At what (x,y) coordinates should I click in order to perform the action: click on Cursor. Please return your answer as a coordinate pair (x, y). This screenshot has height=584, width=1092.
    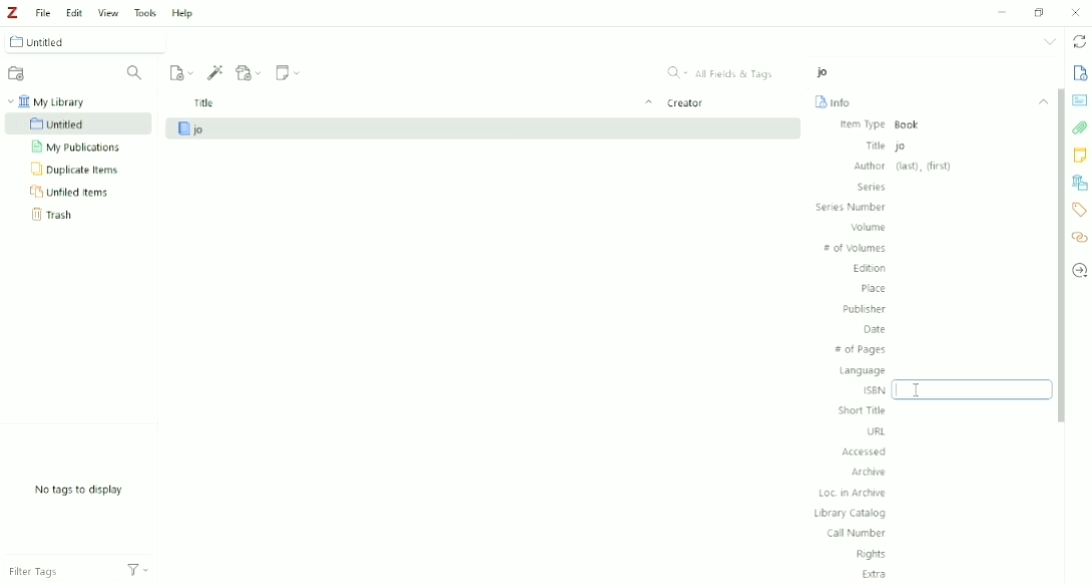
    Looking at the image, I should click on (919, 390).